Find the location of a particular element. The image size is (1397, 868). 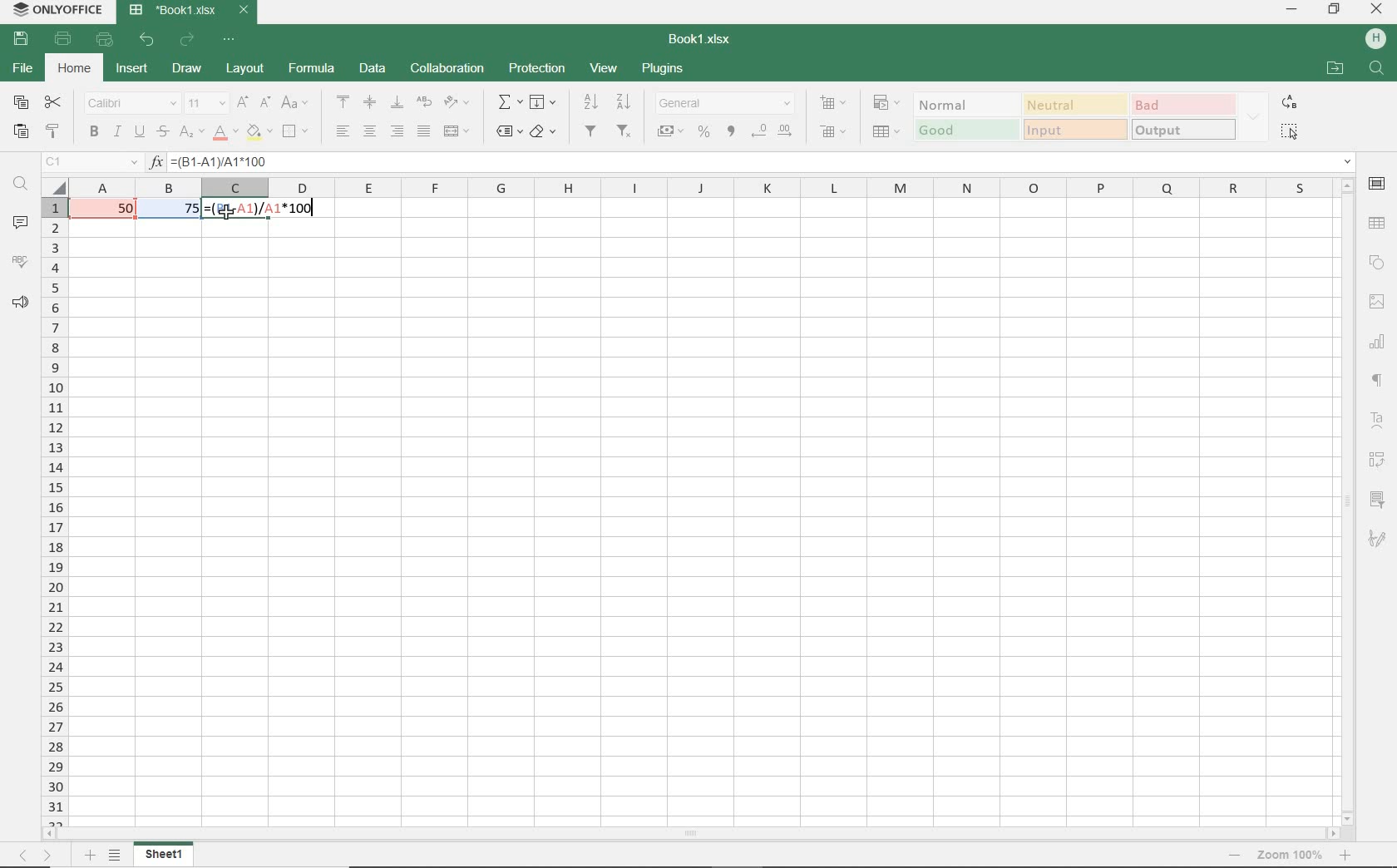

justified is located at coordinates (422, 131).